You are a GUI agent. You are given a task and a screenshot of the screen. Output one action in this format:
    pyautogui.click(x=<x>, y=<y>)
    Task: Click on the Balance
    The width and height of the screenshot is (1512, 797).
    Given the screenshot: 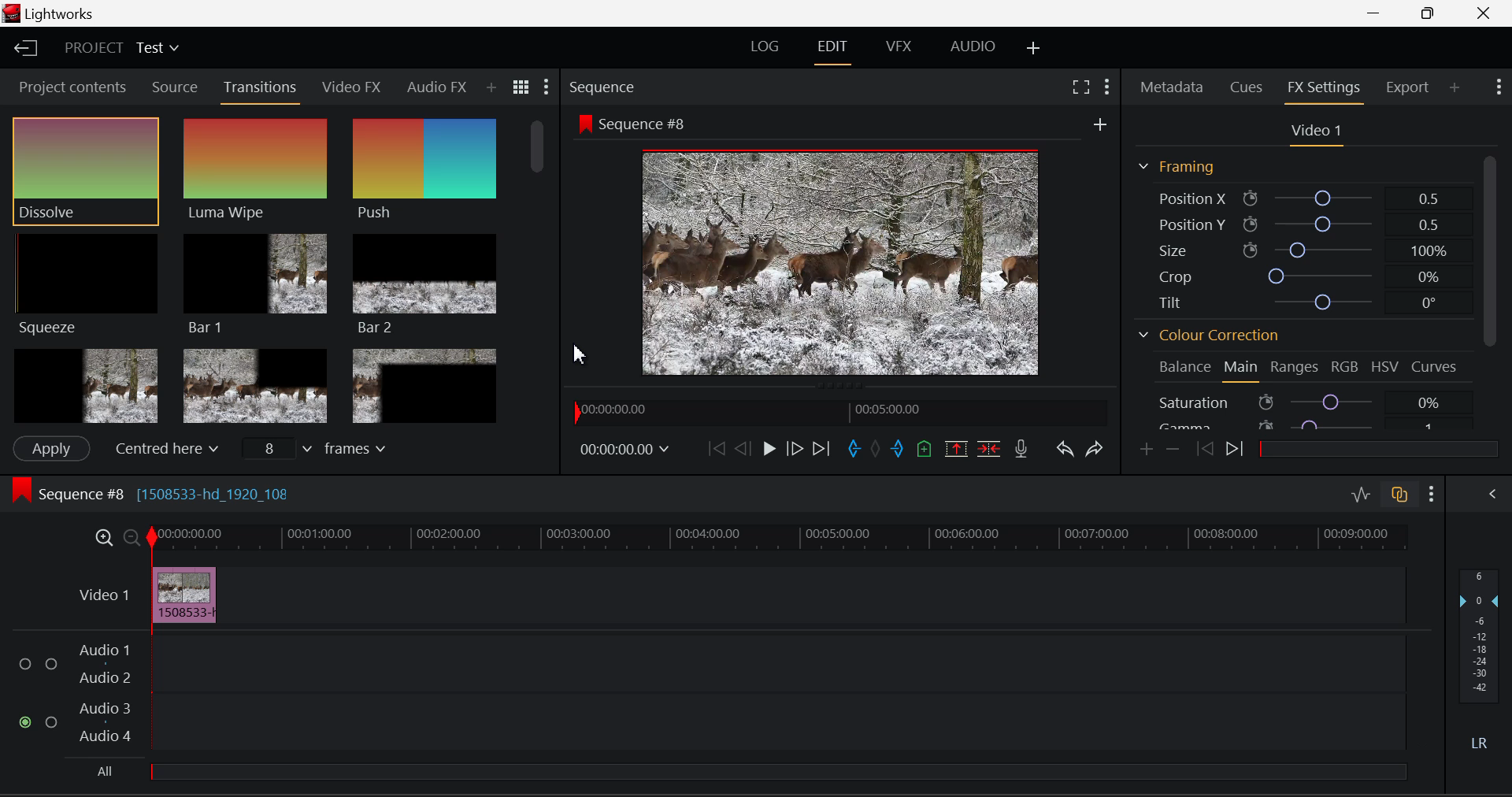 What is the action you would take?
    pyautogui.click(x=1186, y=367)
    